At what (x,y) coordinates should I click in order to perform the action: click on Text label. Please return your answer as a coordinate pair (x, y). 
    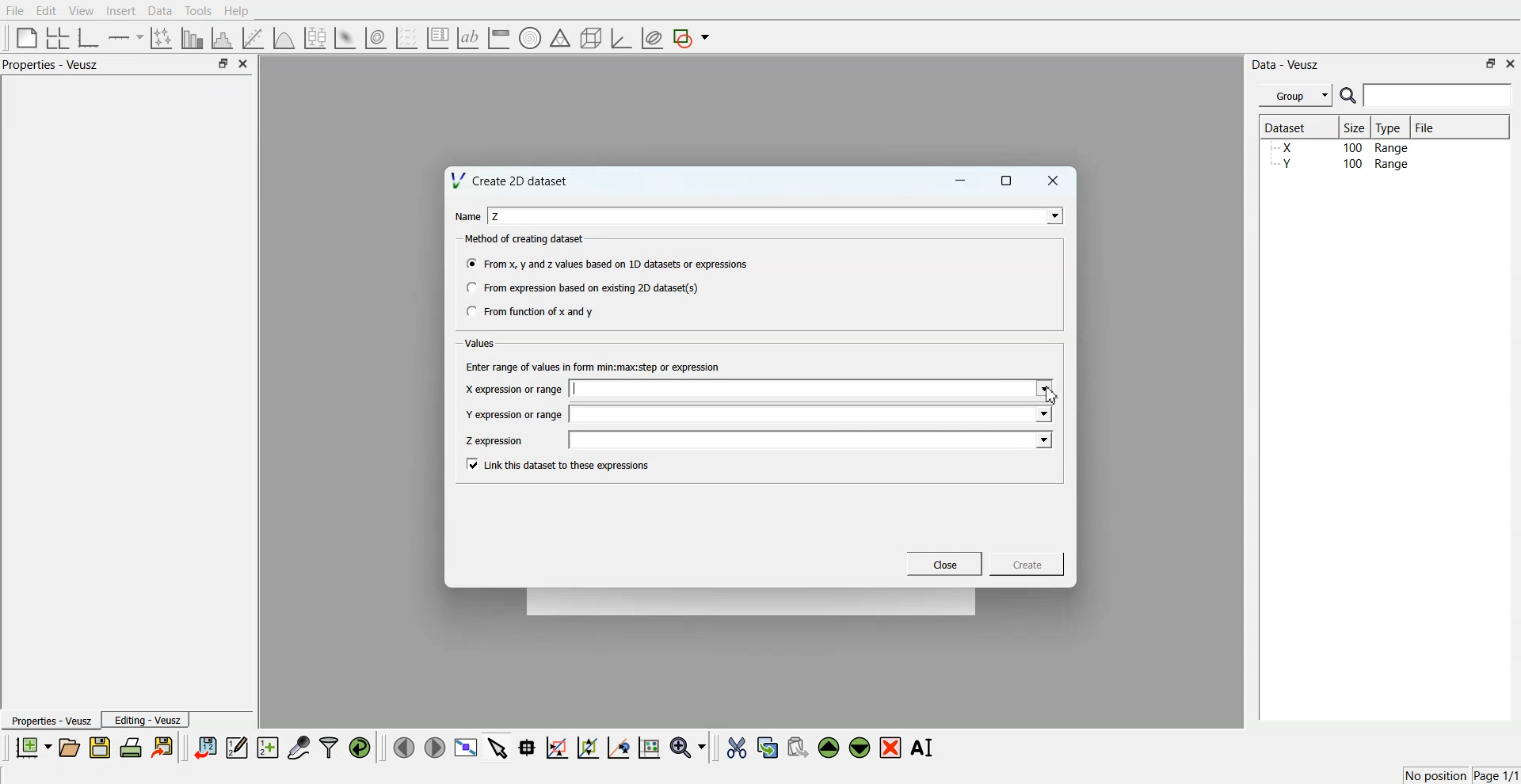
    Looking at the image, I should click on (468, 38).